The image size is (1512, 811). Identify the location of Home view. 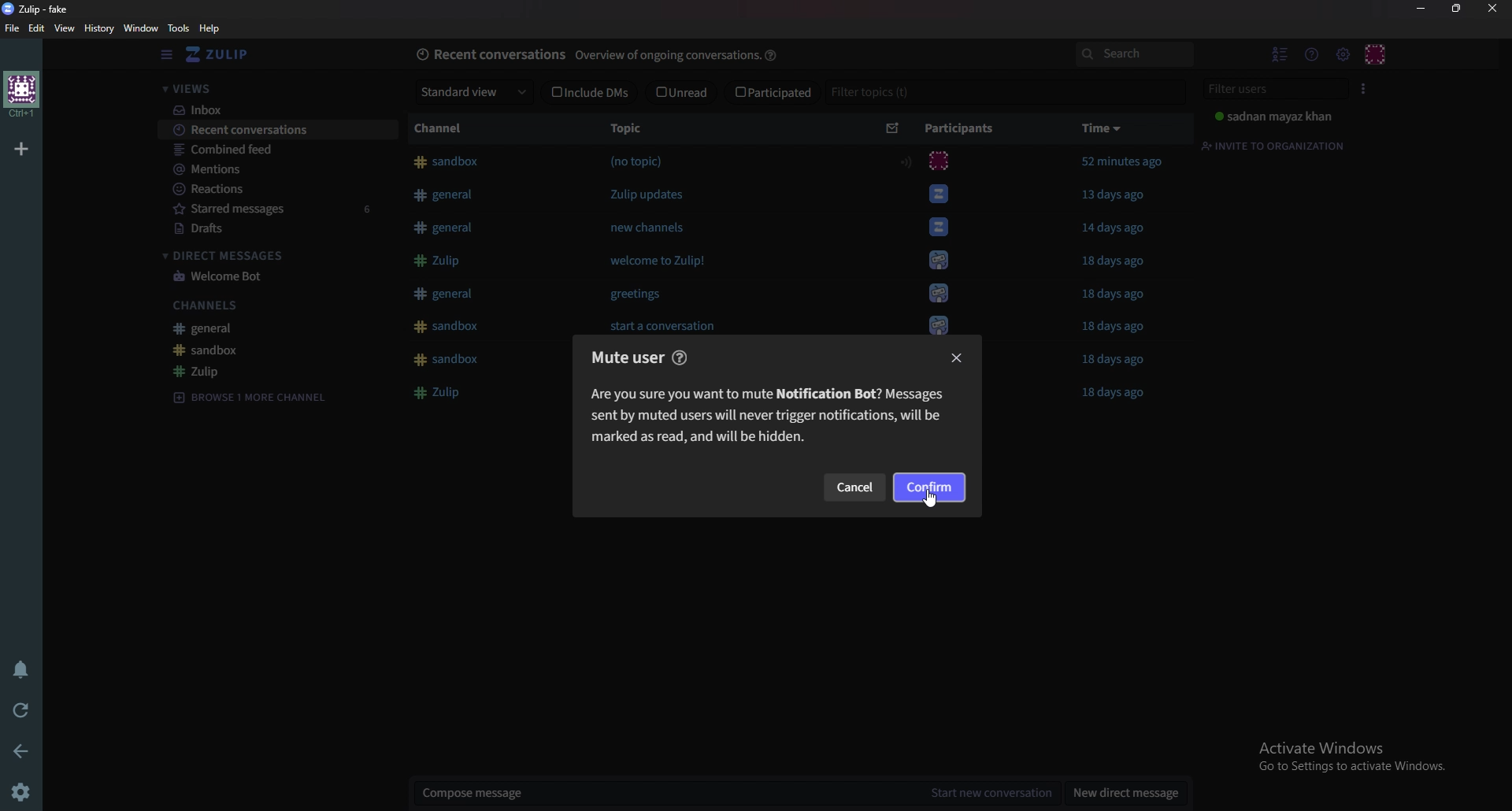
(232, 54).